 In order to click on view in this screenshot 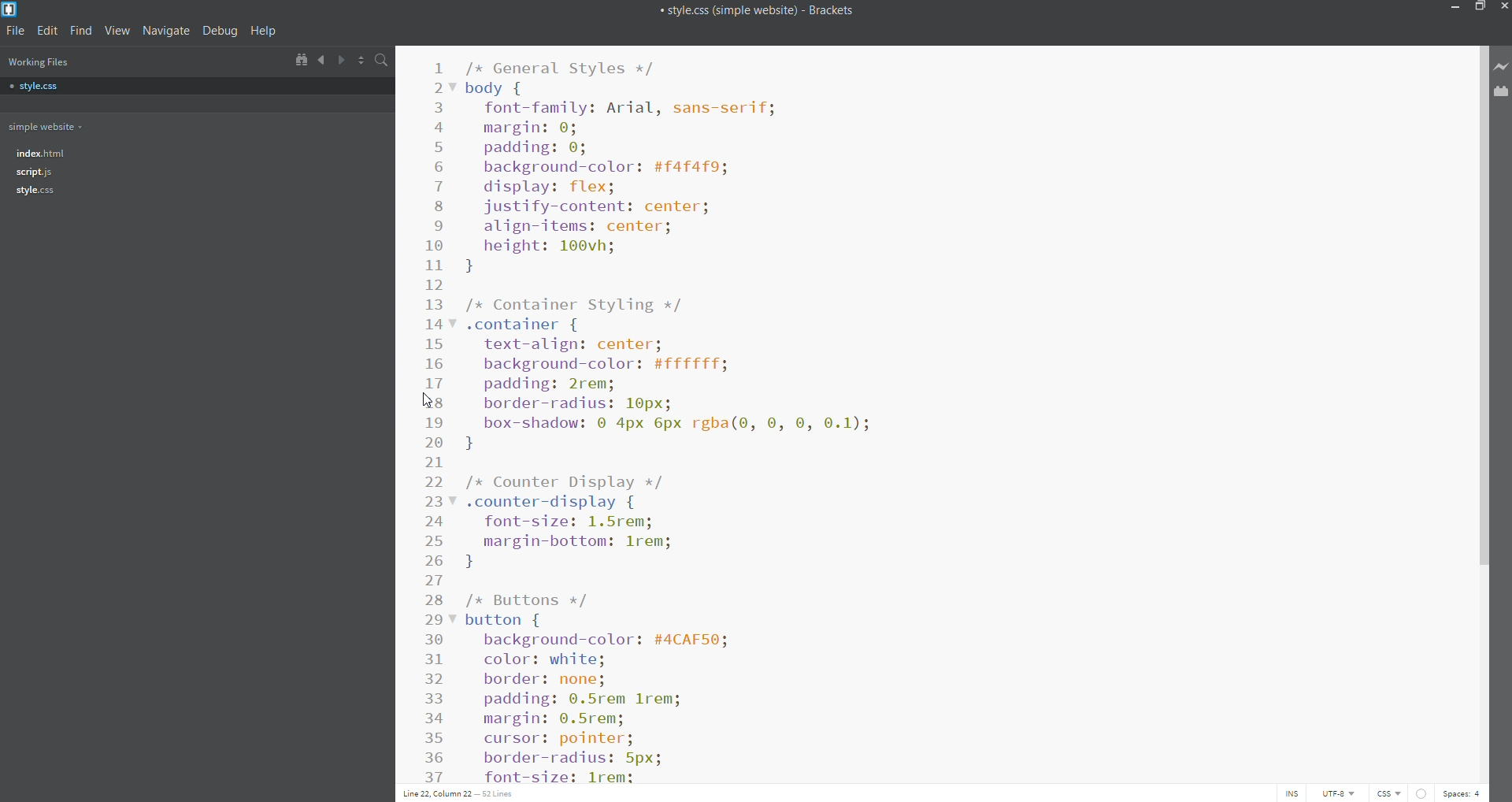, I will do `click(117, 32)`.